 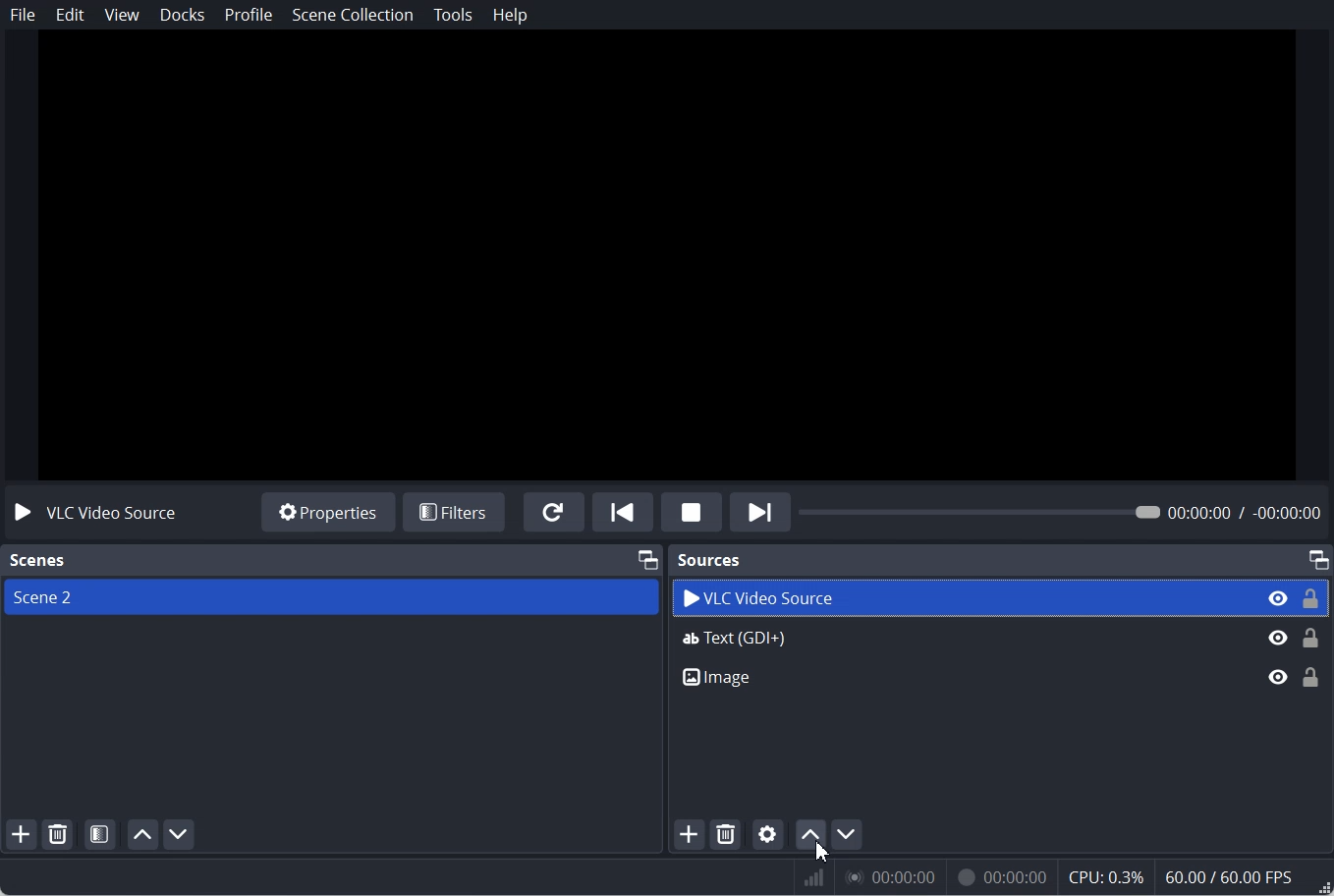 I want to click on Open scene filter, so click(x=100, y=834).